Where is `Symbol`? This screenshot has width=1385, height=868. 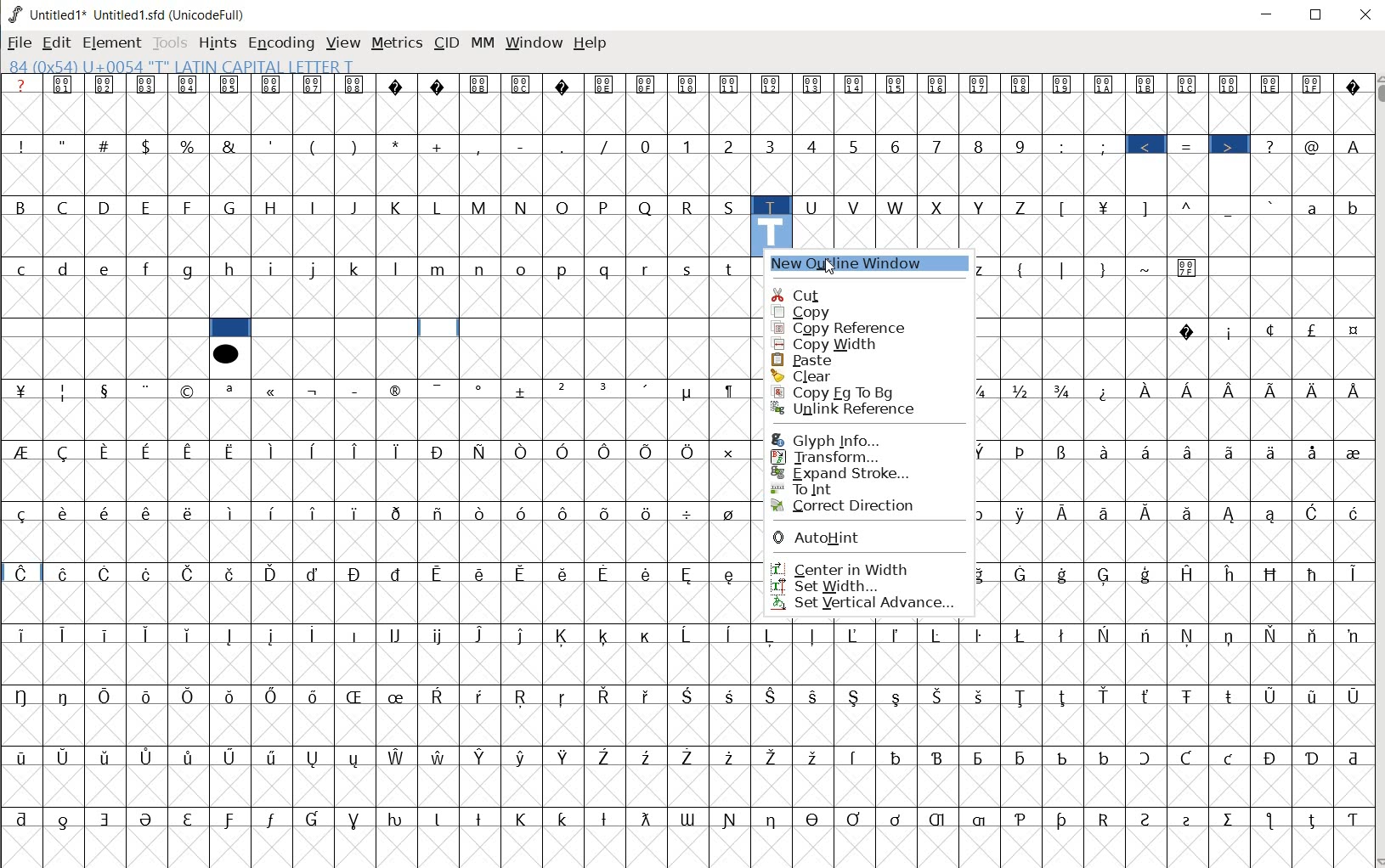 Symbol is located at coordinates (690, 635).